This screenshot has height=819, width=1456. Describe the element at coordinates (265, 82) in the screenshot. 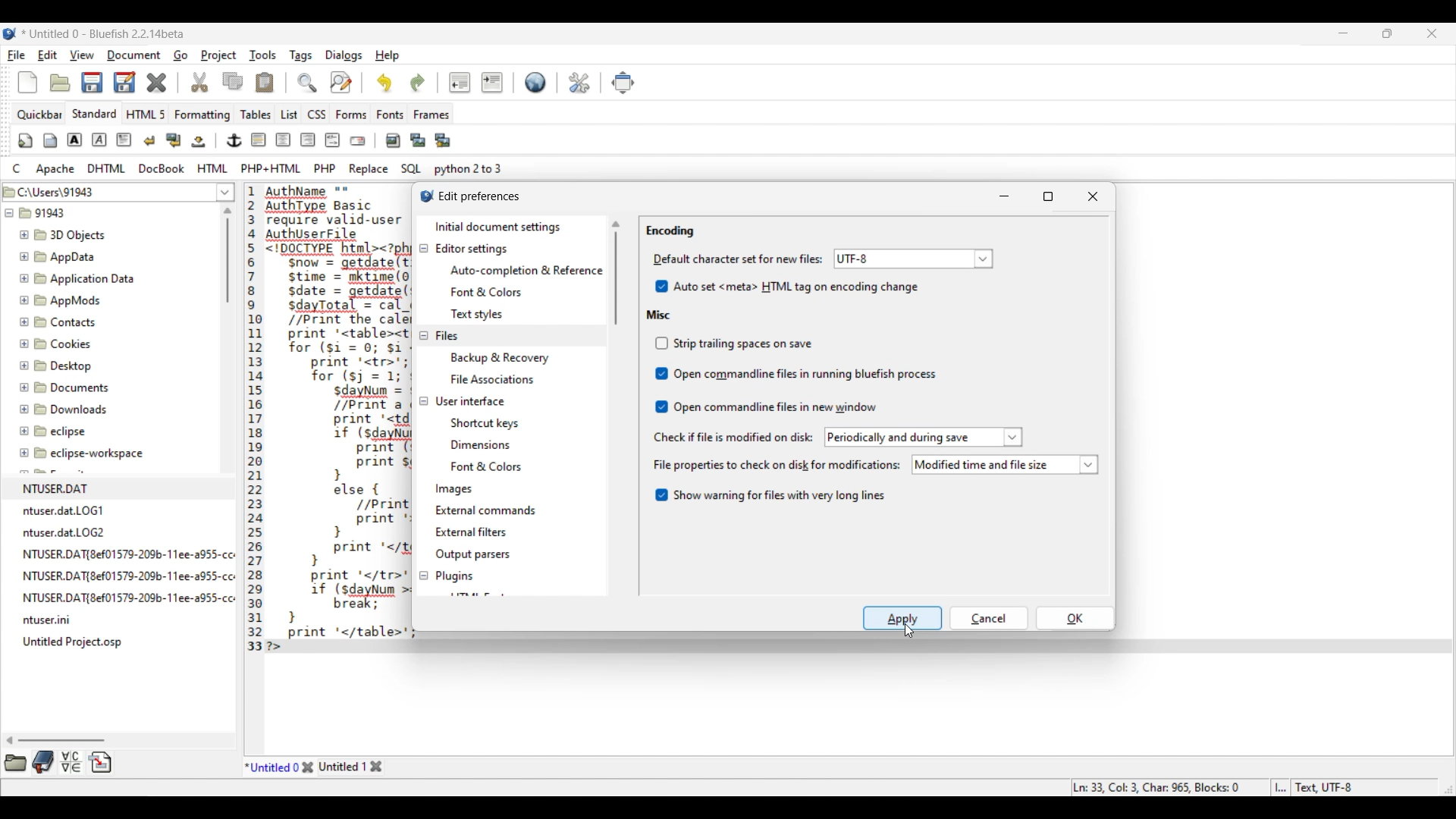

I see `Paste` at that location.